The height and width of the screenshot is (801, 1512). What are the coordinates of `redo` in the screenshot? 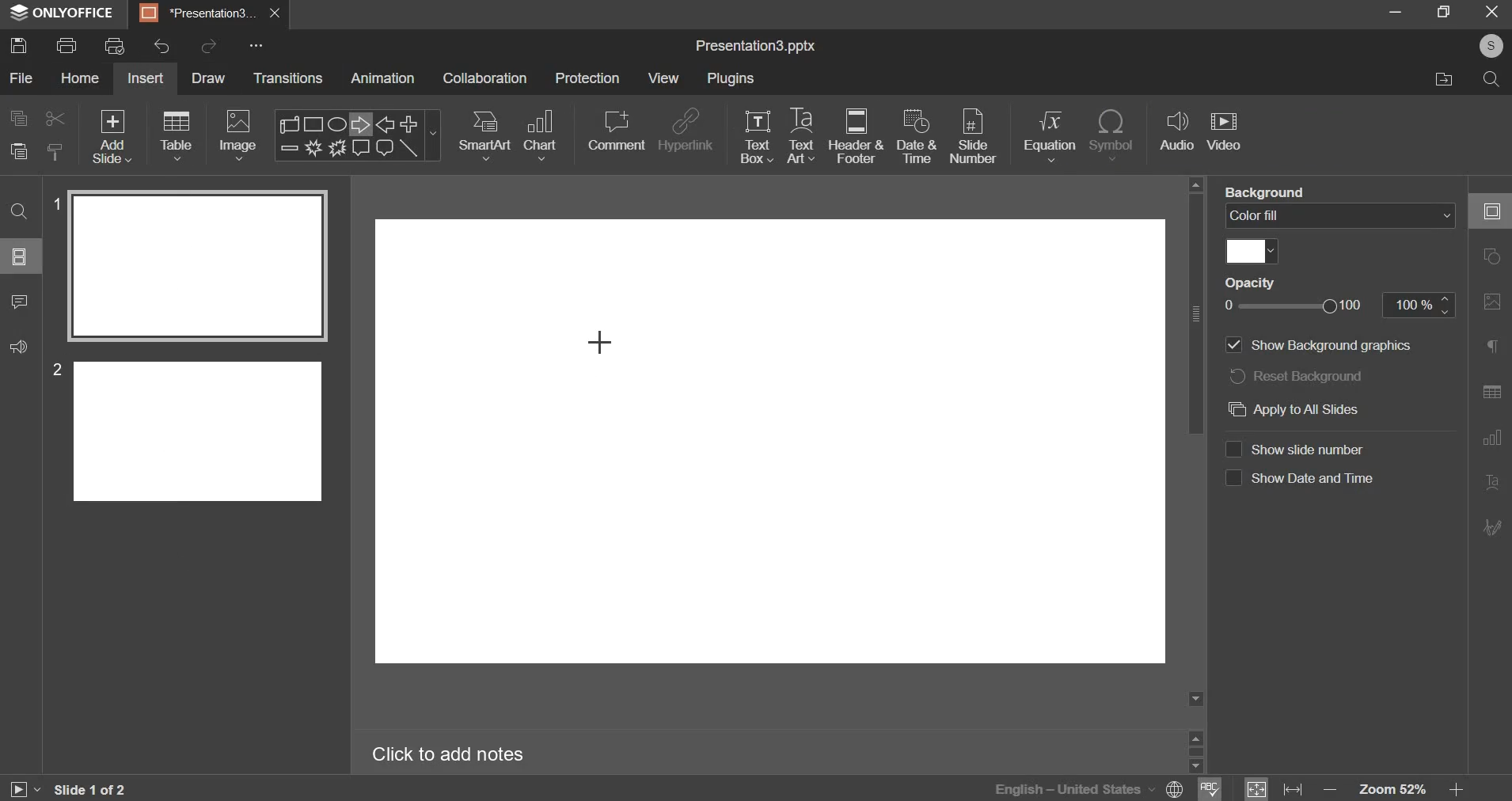 It's located at (211, 44).